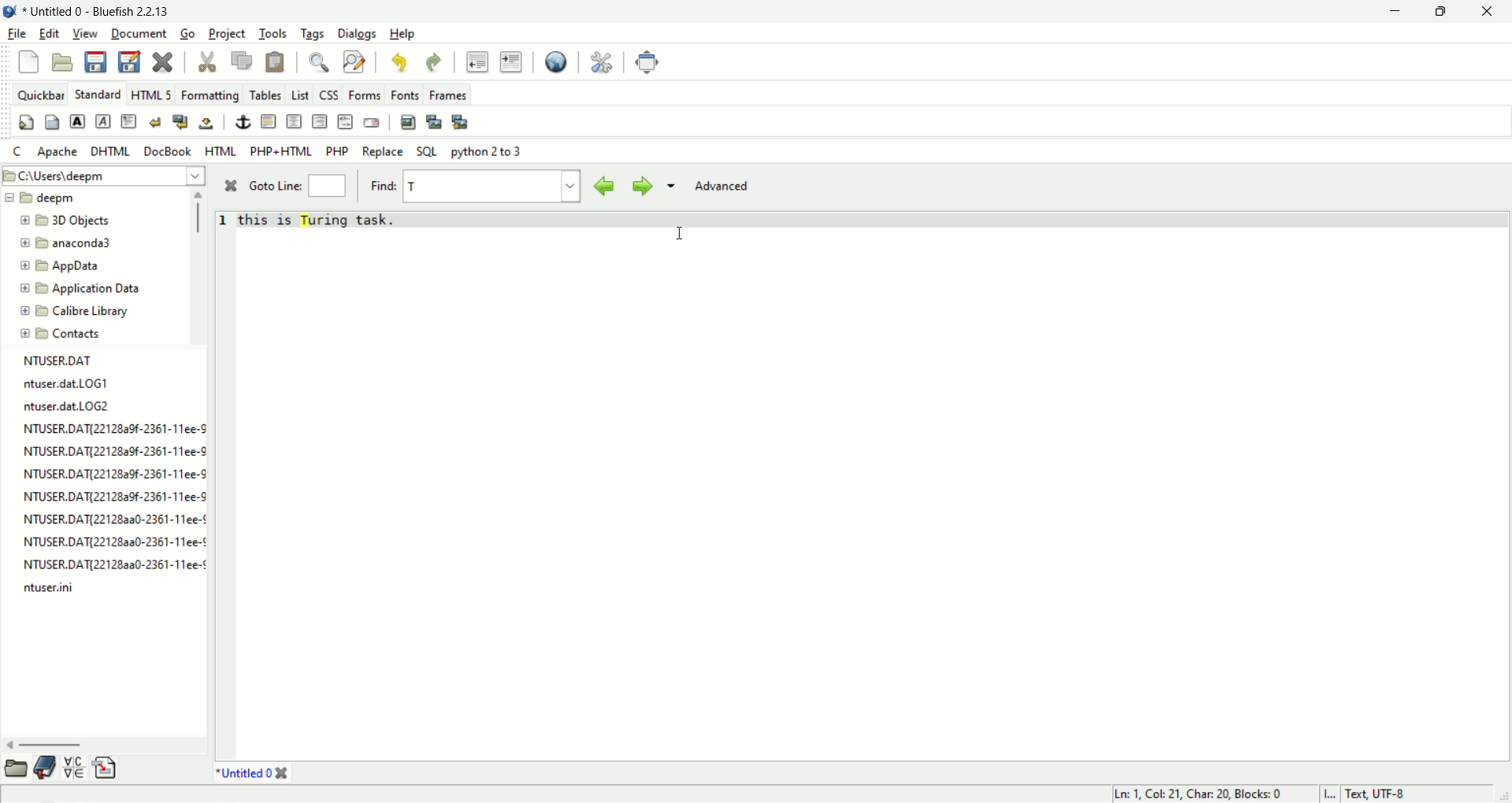 The height and width of the screenshot is (803, 1512). What do you see at coordinates (402, 34) in the screenshot?
I see `Help` at bounding box center [402, 34].